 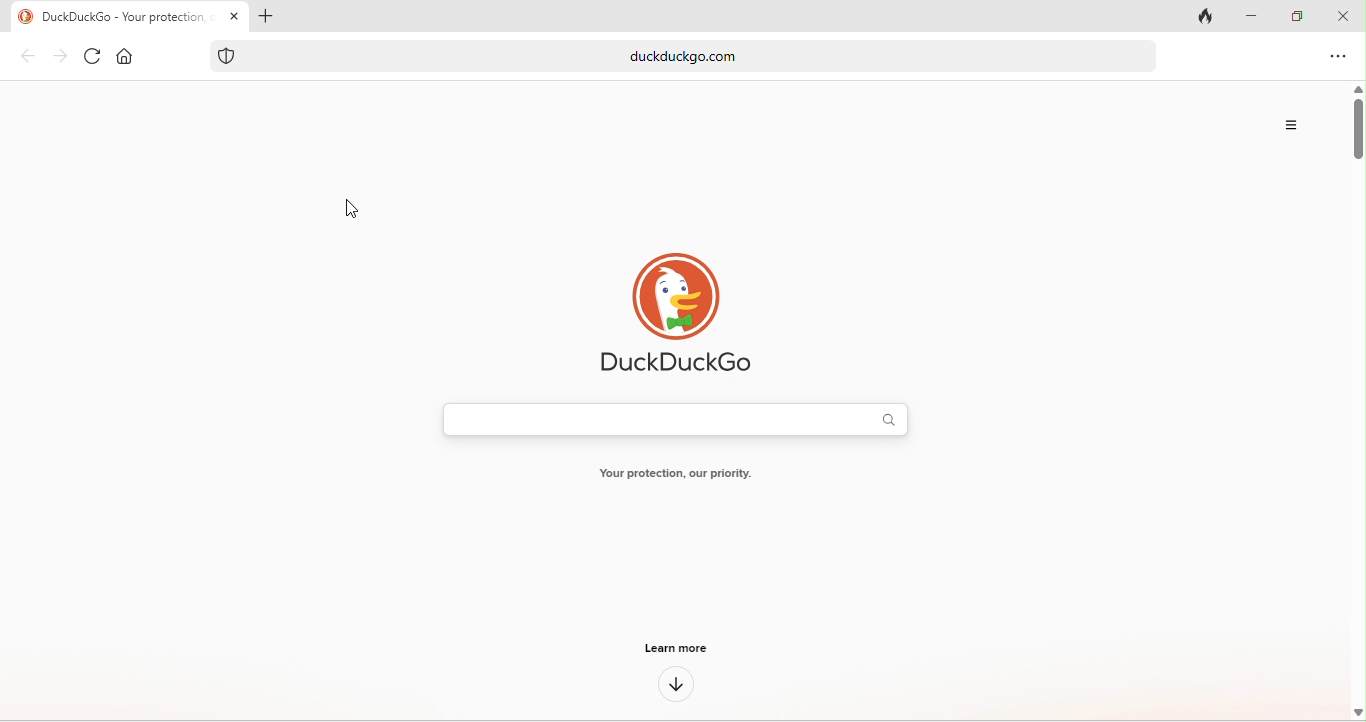 I want to click on search bar, so click(x=677, y=419).